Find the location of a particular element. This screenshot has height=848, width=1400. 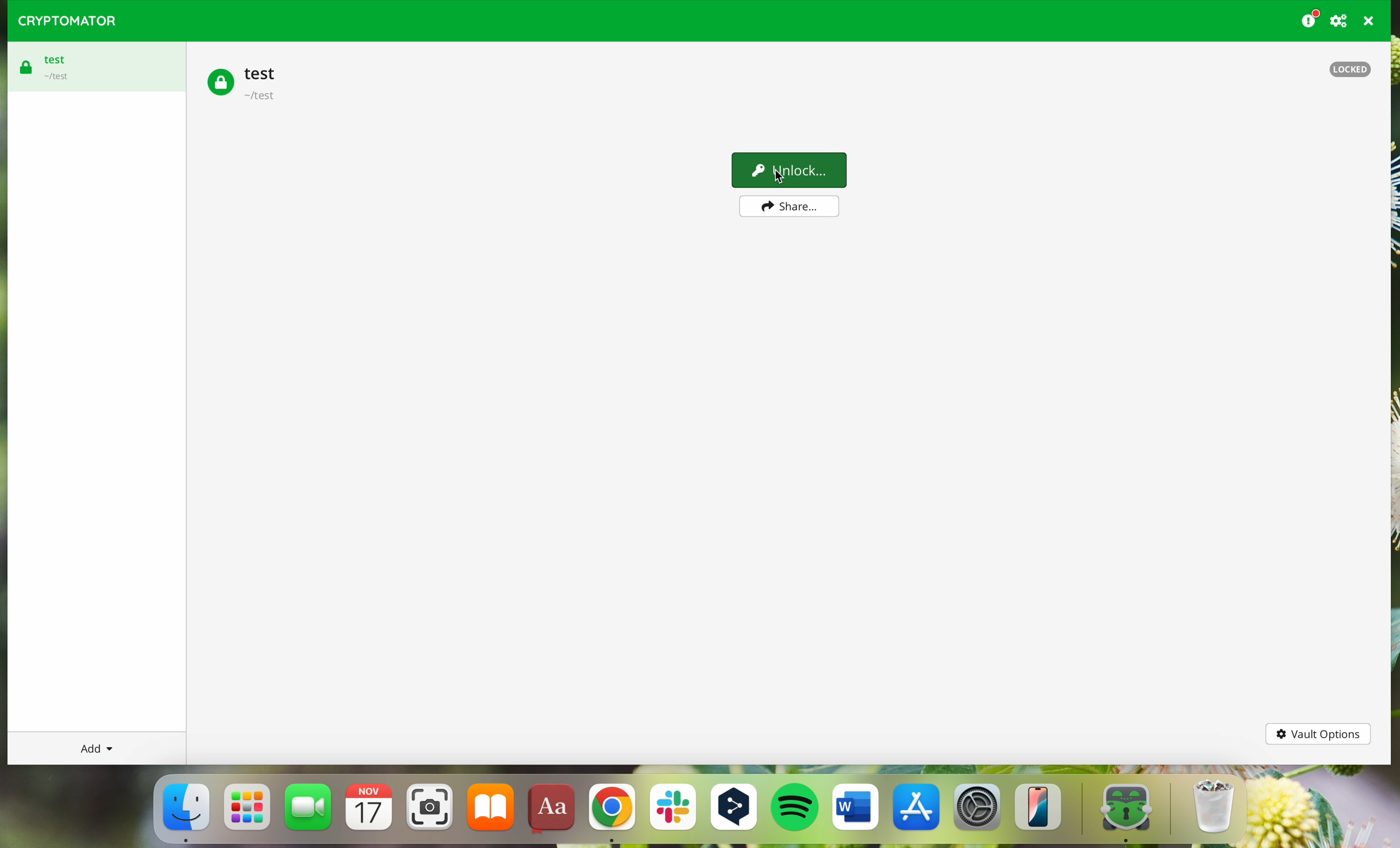

CRYPTOMATOR LOGO is located at coordinates (62, 18).